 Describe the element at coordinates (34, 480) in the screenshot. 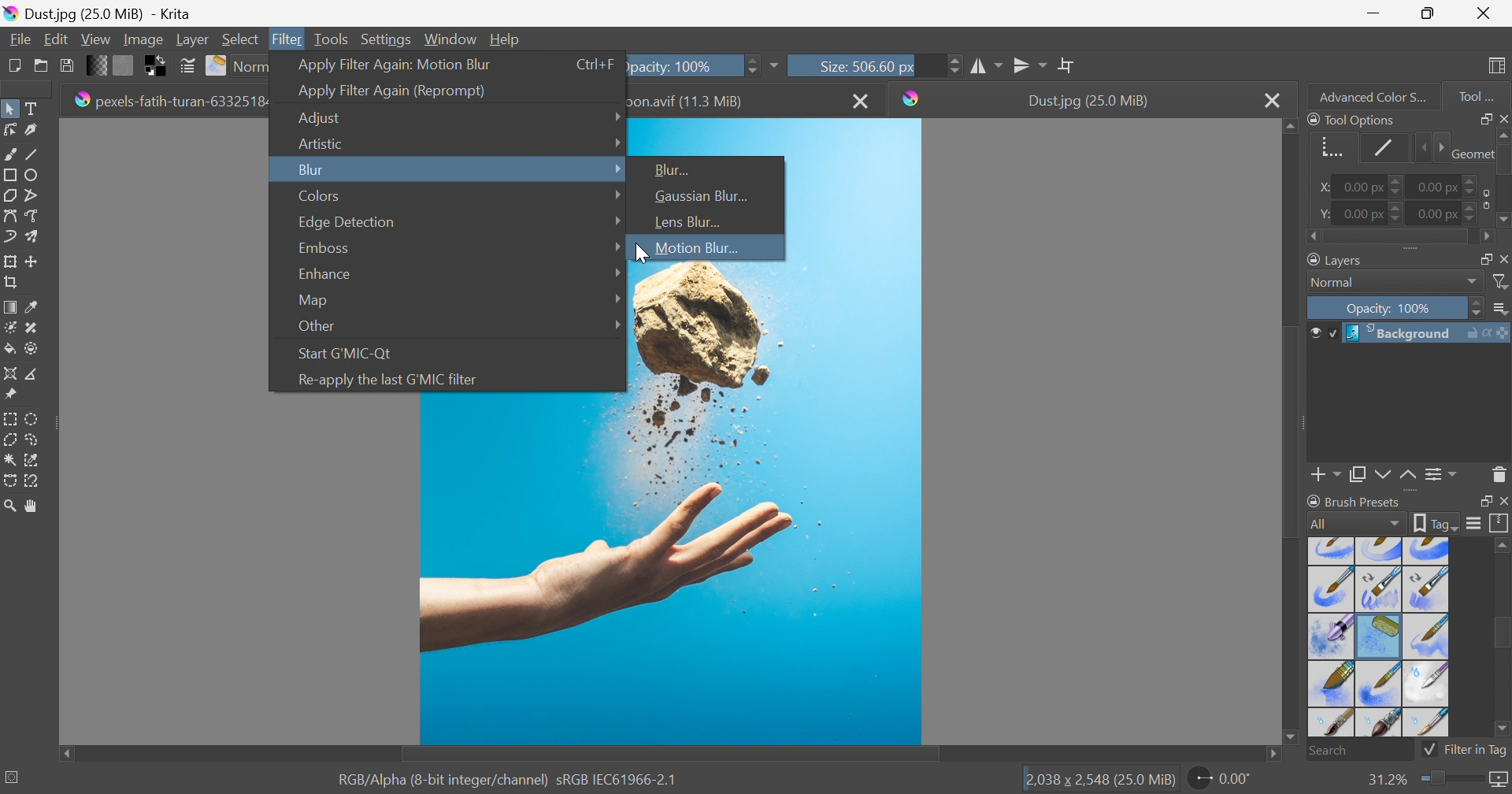

I see `Magnetic Curve selection tool` at that location.